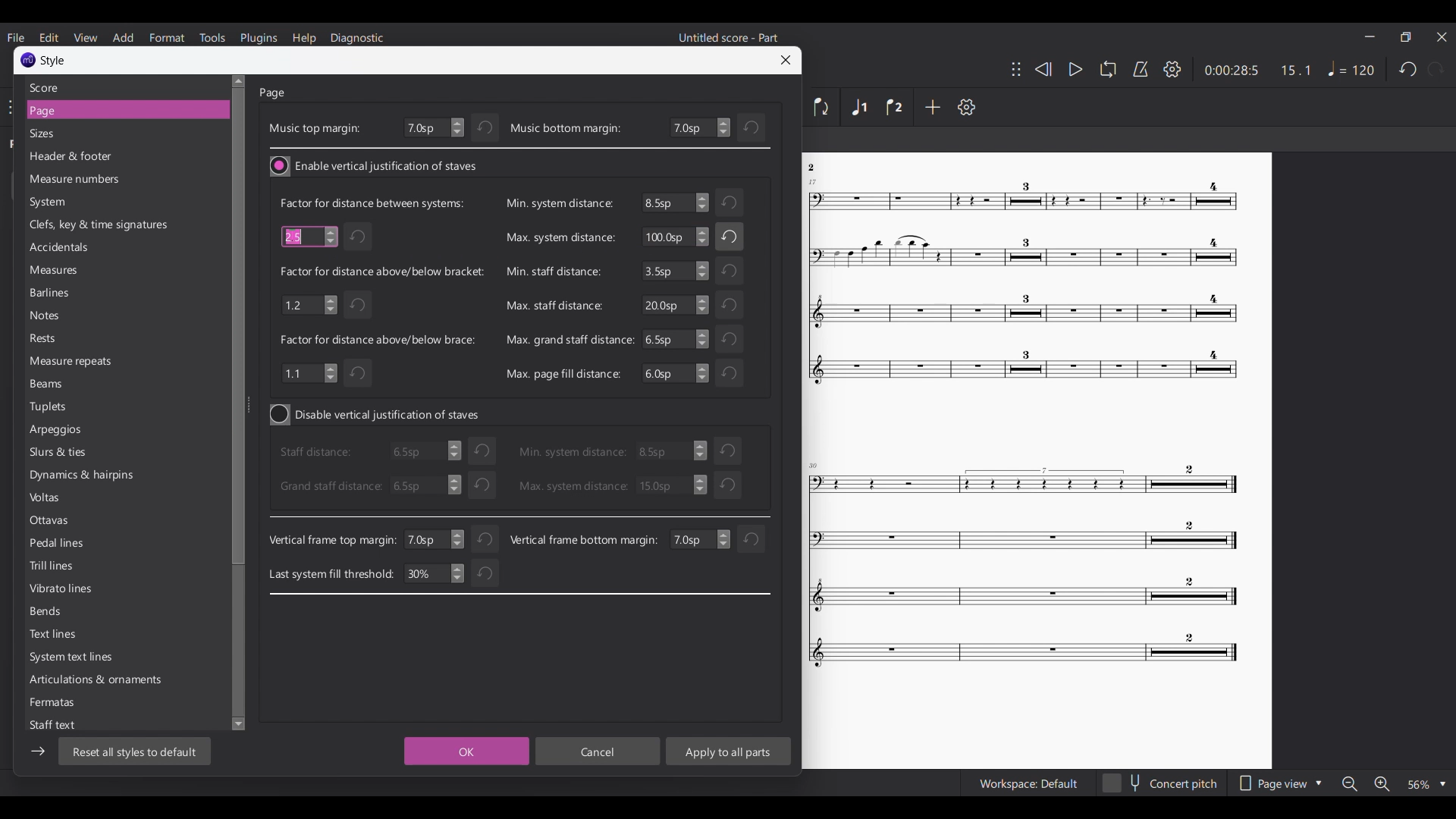  Describe the element at coordinates (1279, 783) in the screenshot. I see `Page view options` at that location.